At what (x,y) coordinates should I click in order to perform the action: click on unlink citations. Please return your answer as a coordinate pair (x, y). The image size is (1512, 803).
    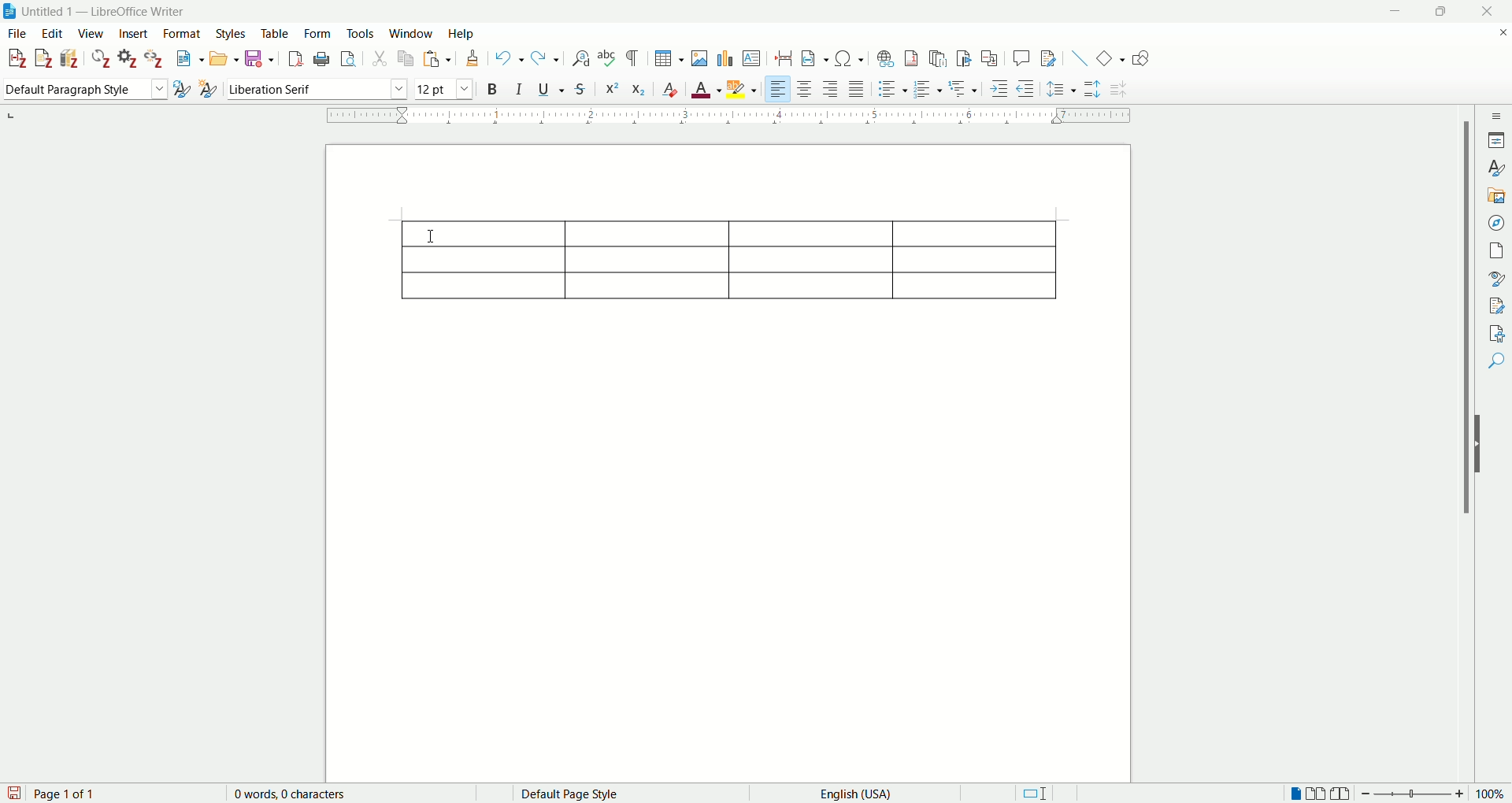
    Looking at the image, I should click on (154, 58).